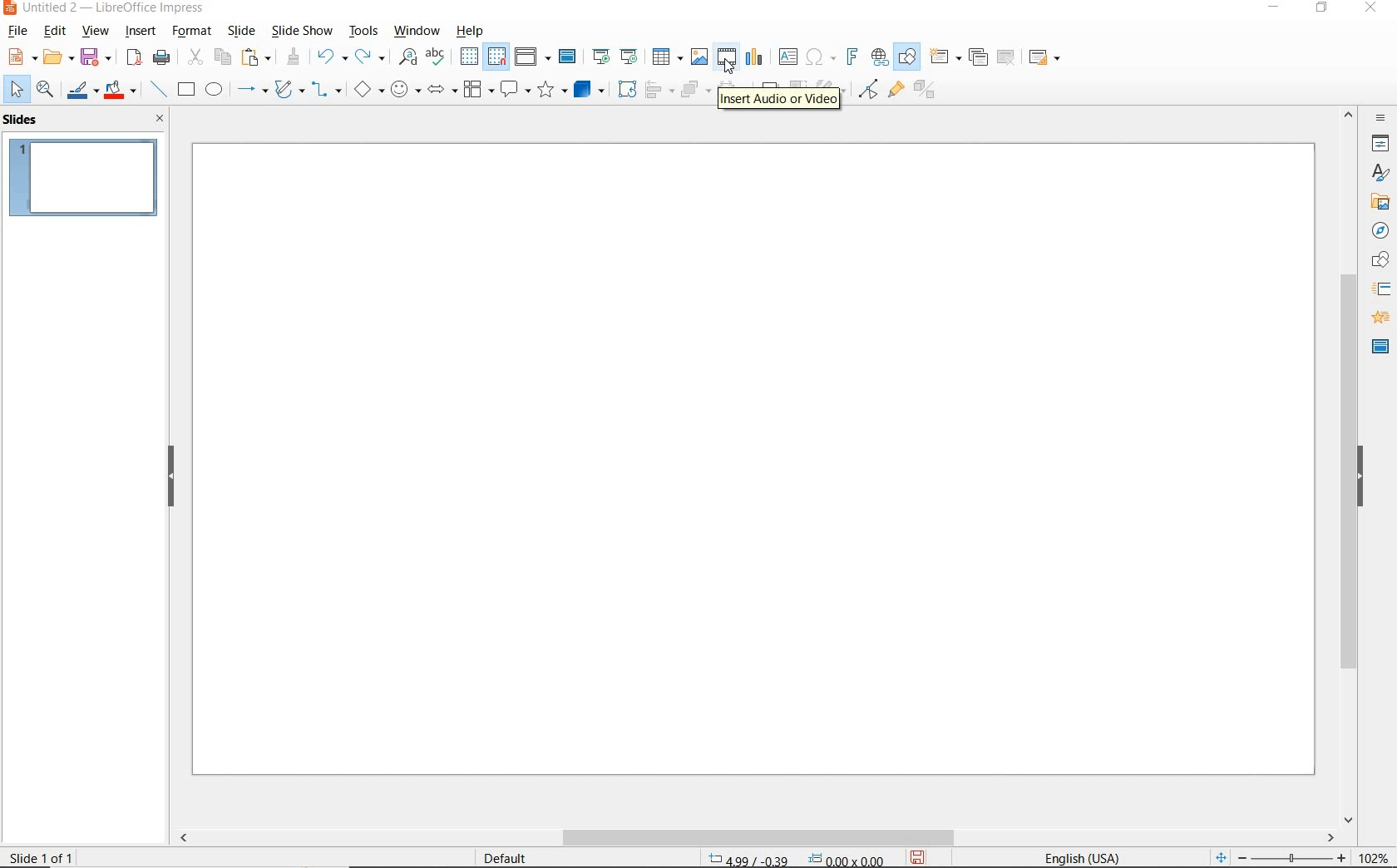  What do you see at coordinates (1007, 58) in the screenshot?
I see `DELETE SLIDE` at bounding box center [1007, 58].